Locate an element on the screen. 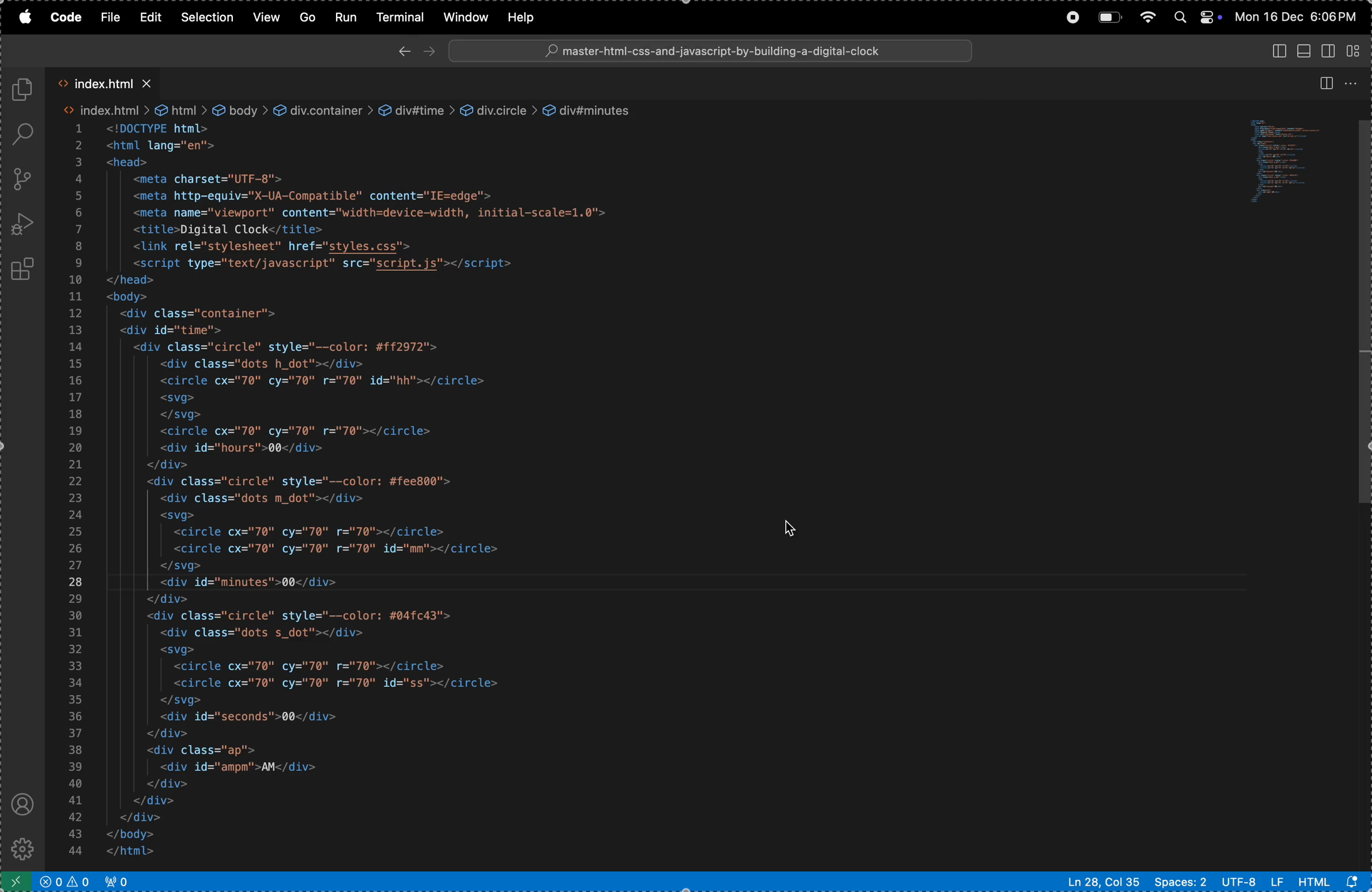 The width and height of the screenshot is (1372, 892). toggle panel is located at coordinates (1303, 51).